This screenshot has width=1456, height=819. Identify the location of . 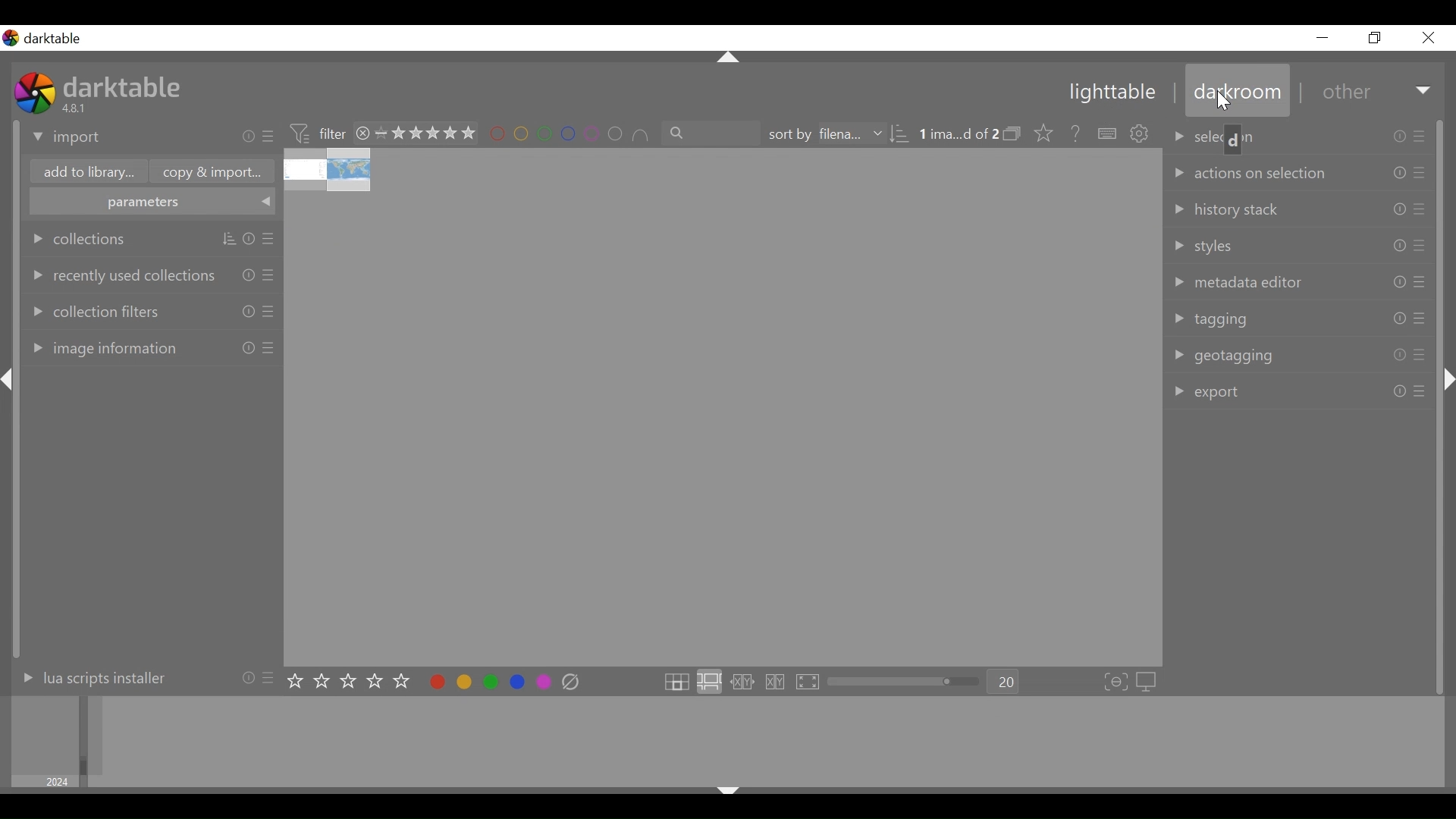
(269, 350).